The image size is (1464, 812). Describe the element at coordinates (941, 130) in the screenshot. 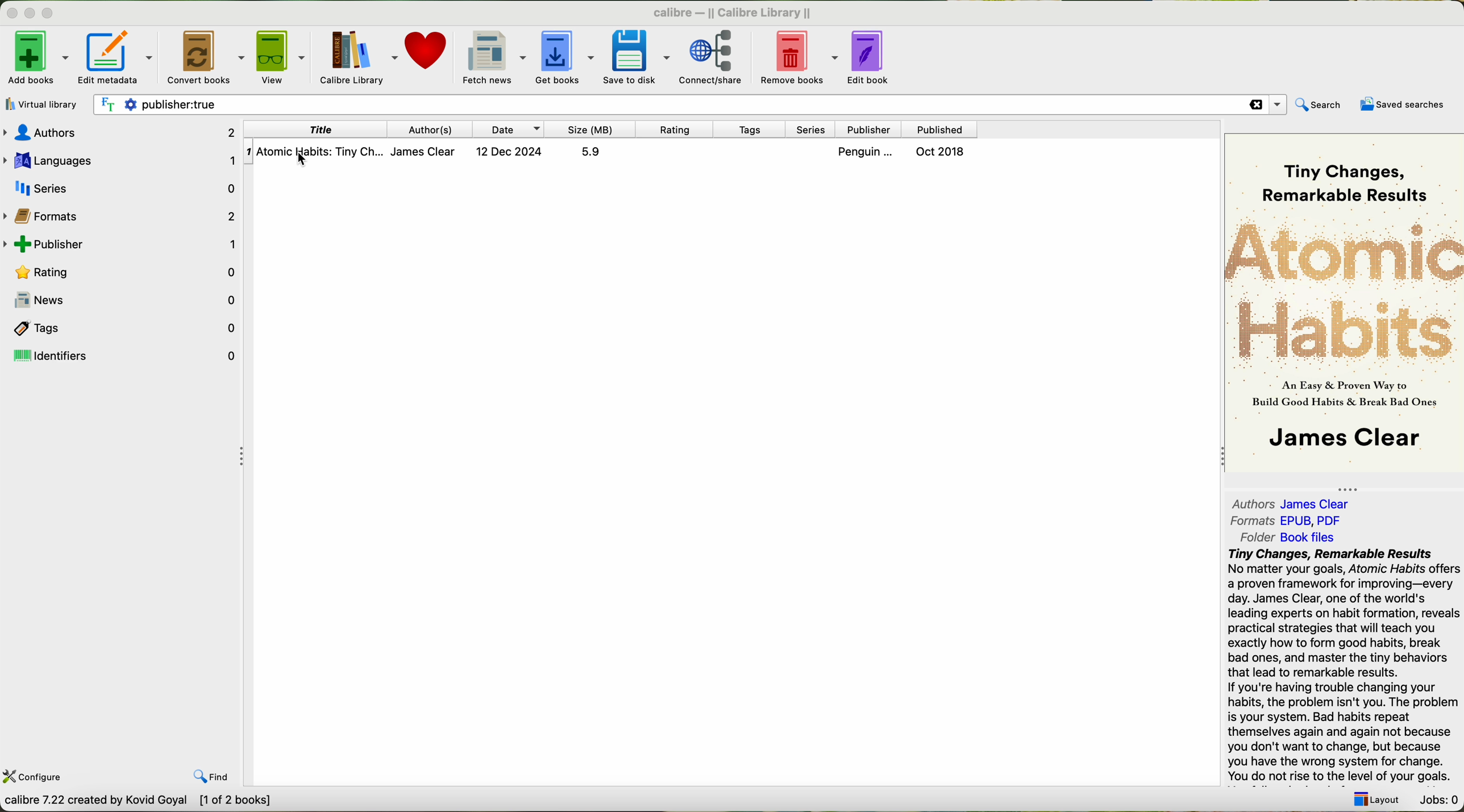

I see `published` at that location.